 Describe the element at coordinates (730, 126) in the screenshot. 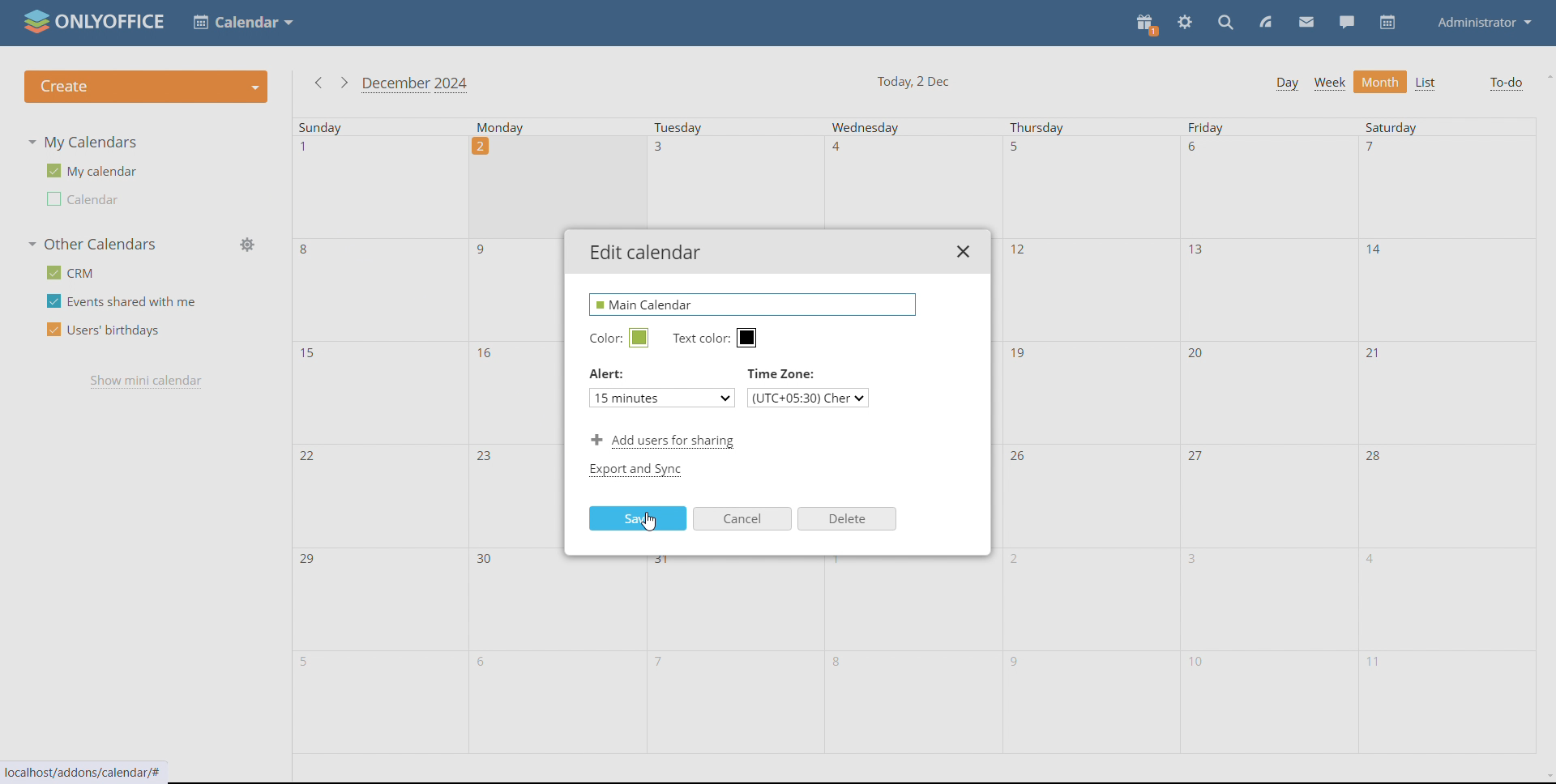

I see `Tuesday` at that location.